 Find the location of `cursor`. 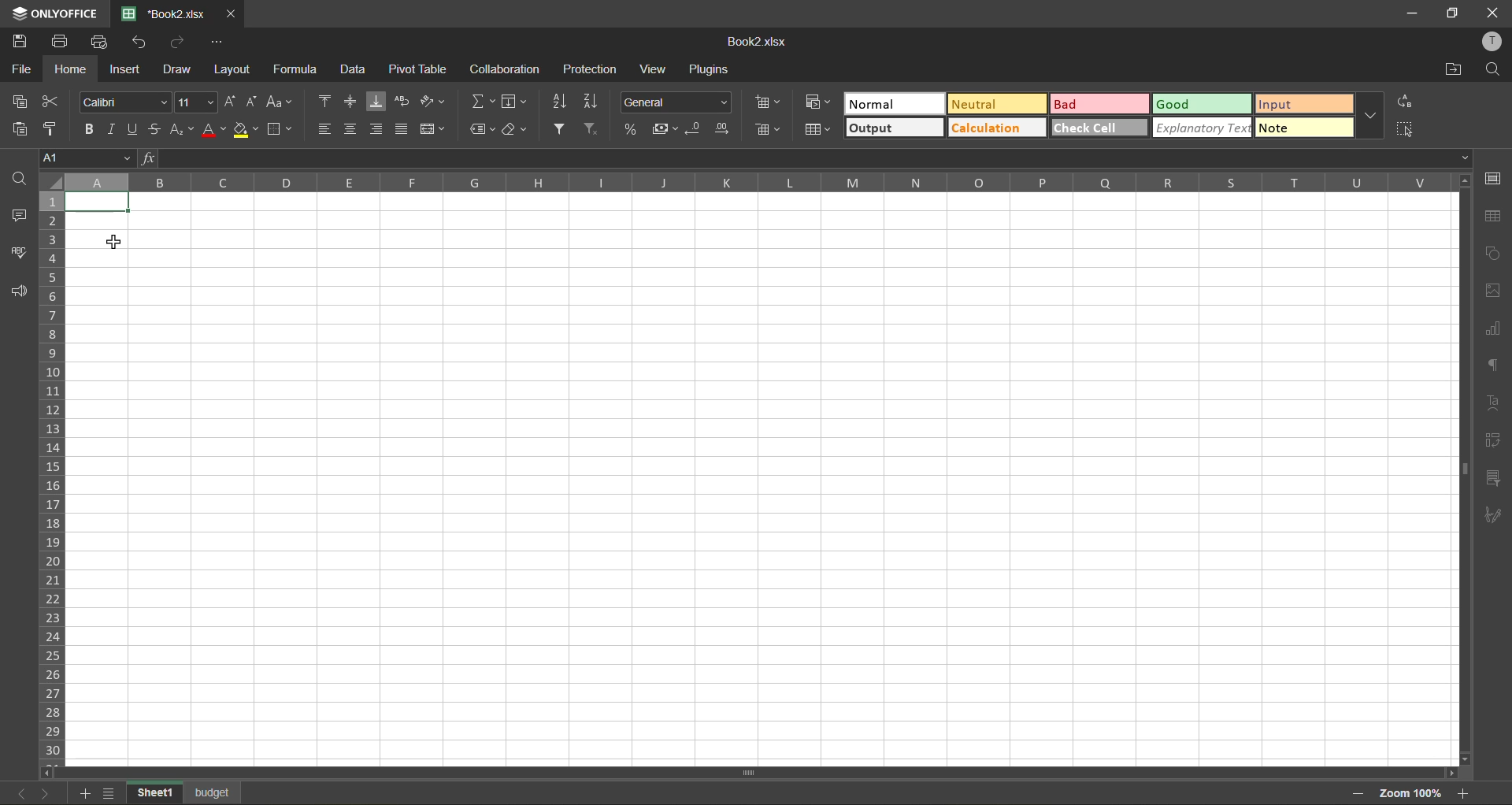

cursor is located at coordinates (113, 244).